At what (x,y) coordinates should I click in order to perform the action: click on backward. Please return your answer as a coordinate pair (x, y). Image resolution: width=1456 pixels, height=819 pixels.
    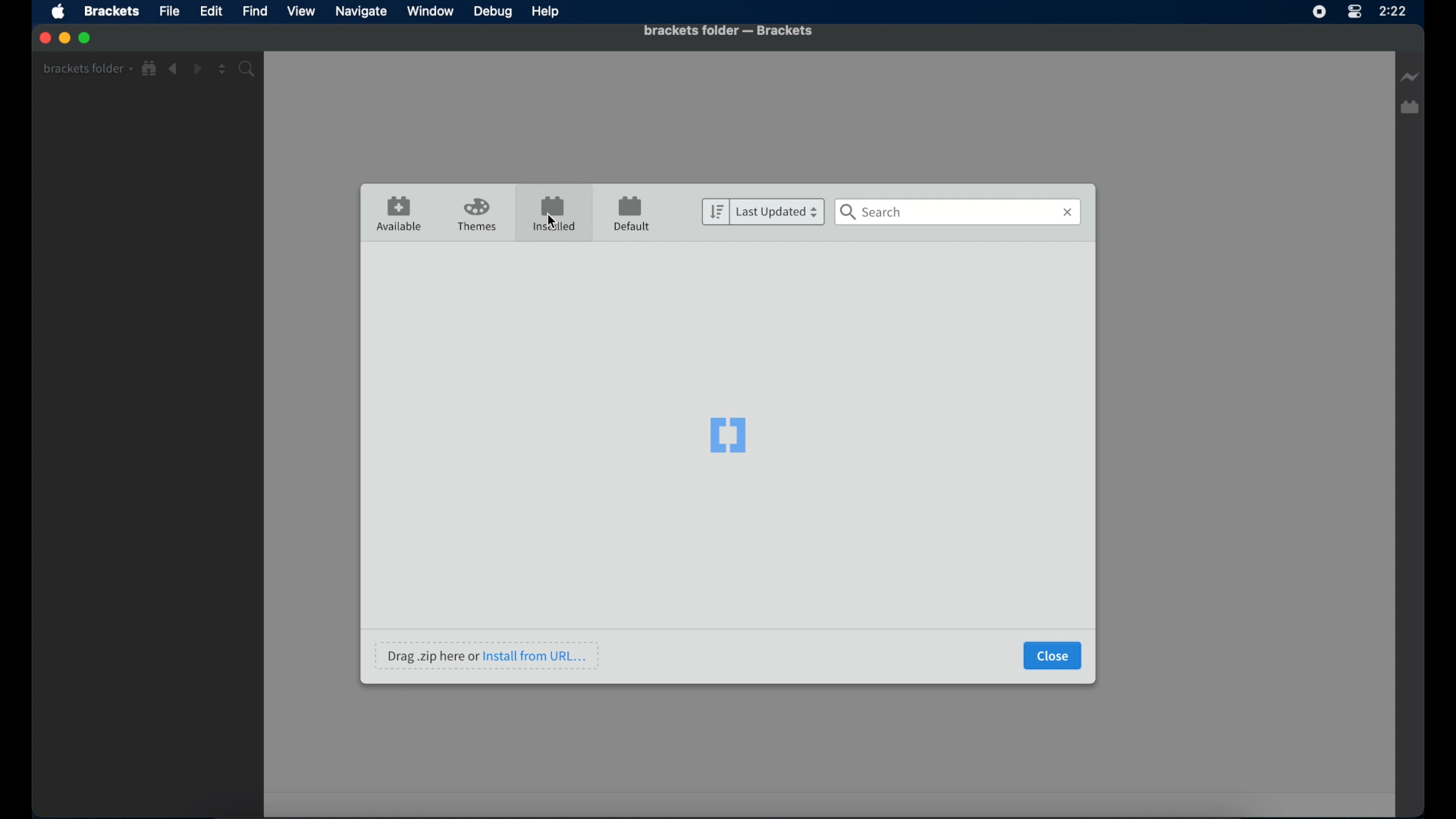
    Looking at the image, I should click on (174, 69).